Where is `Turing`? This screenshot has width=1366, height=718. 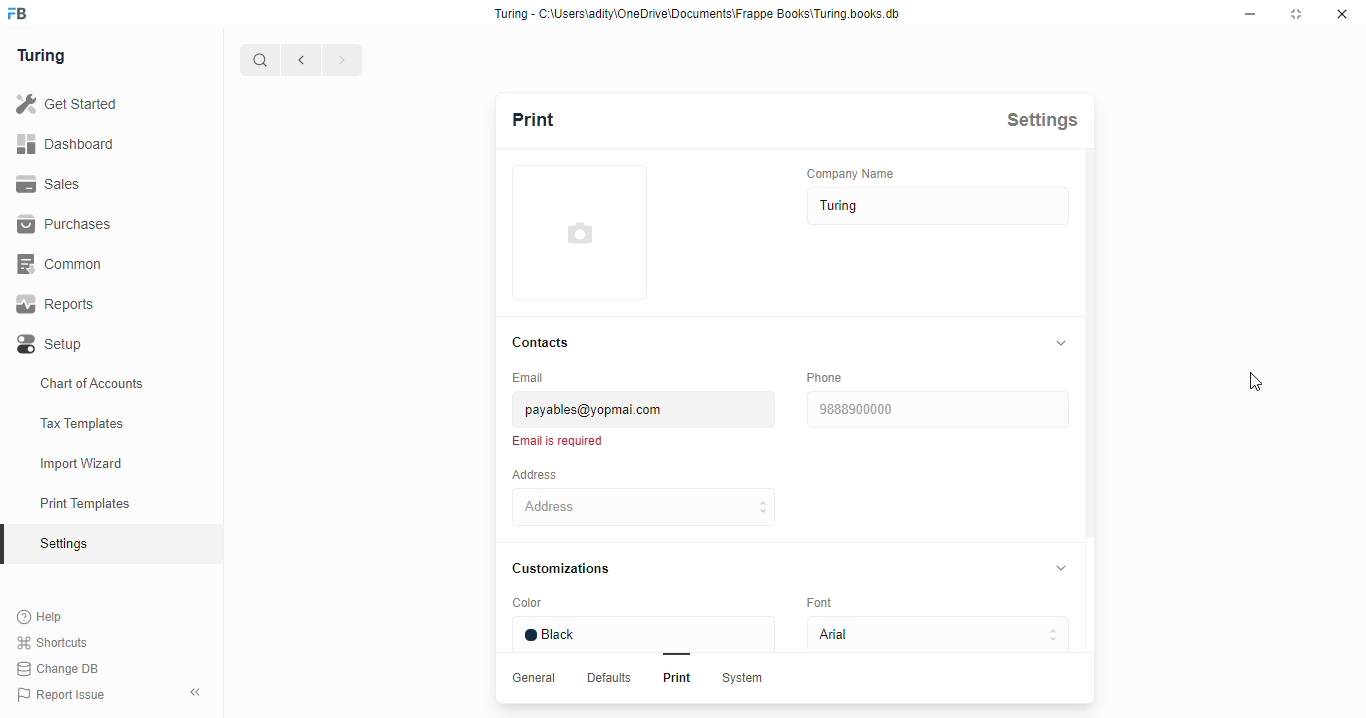 Turing is located at coordinates (933, 207).